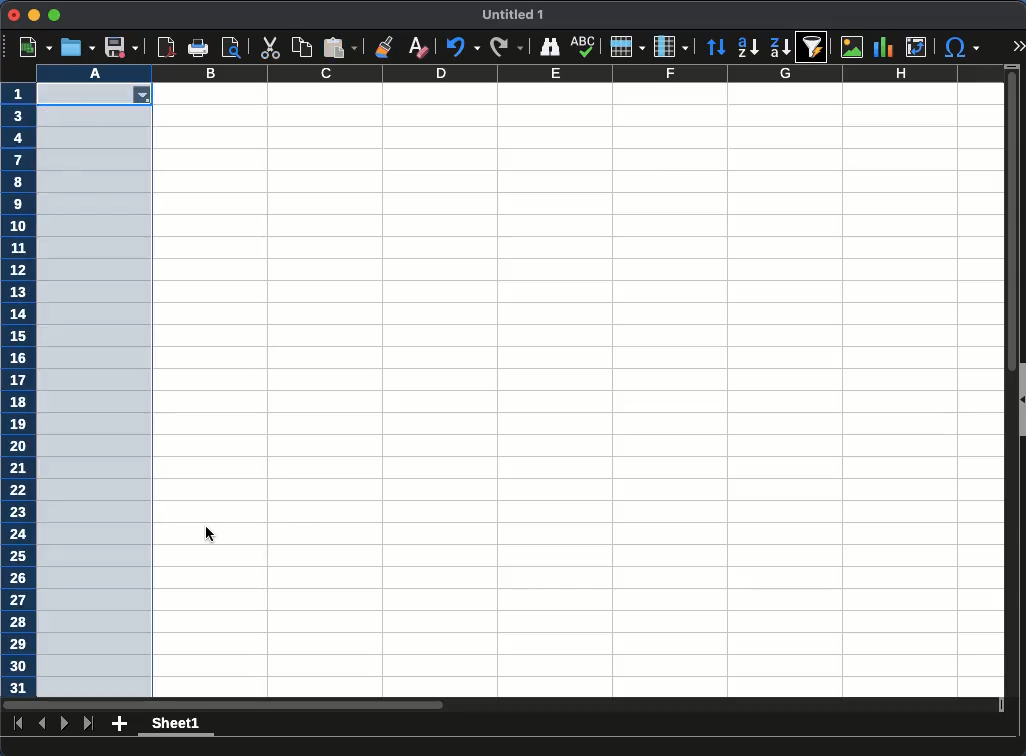  What do you see at coordinates (813, 46) in the screenshot?
I see `autofilter` at bounding box center [813, 46].